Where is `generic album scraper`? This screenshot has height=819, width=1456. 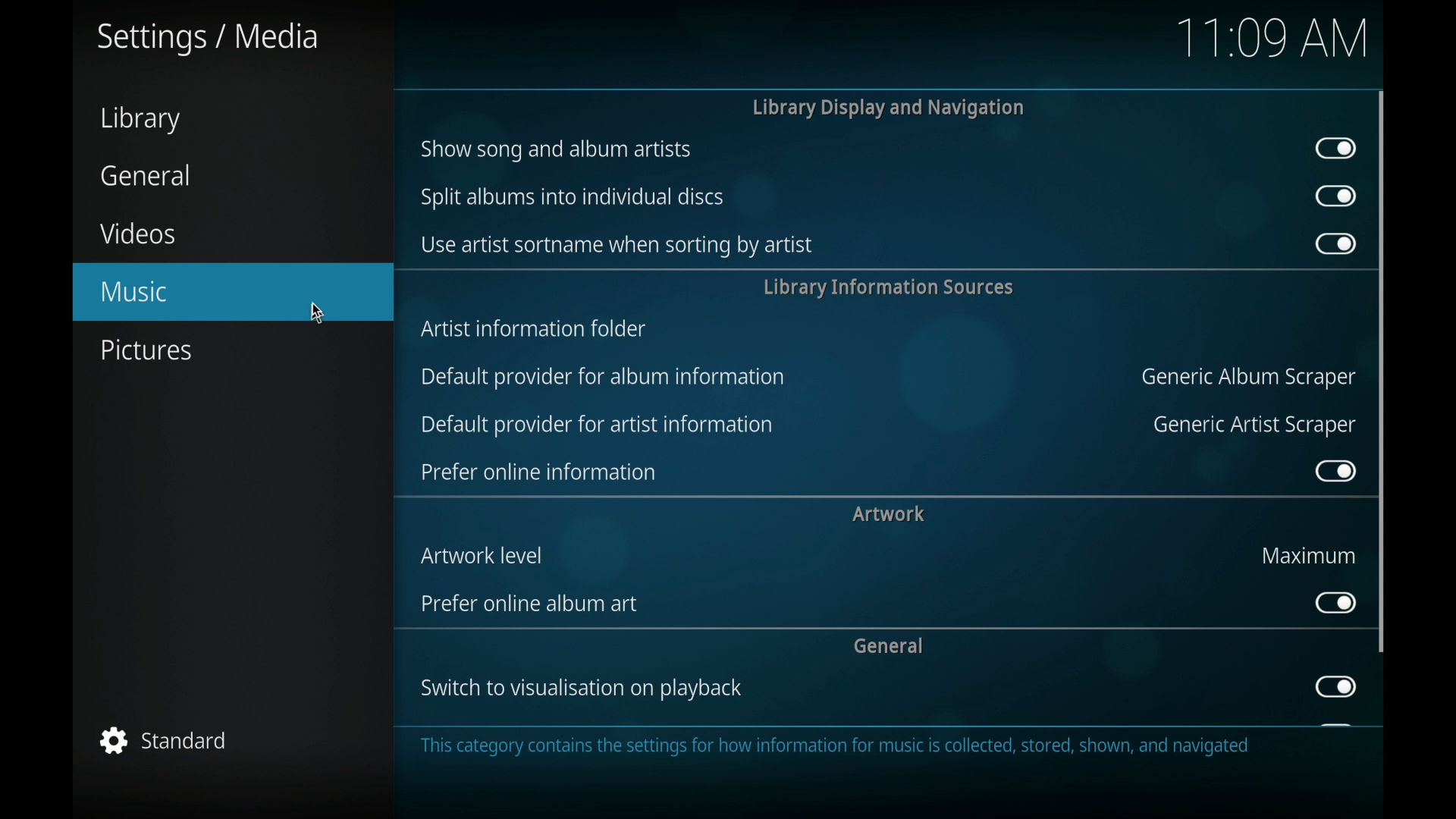 generic album scraper is located at coordinates (1248, 378).